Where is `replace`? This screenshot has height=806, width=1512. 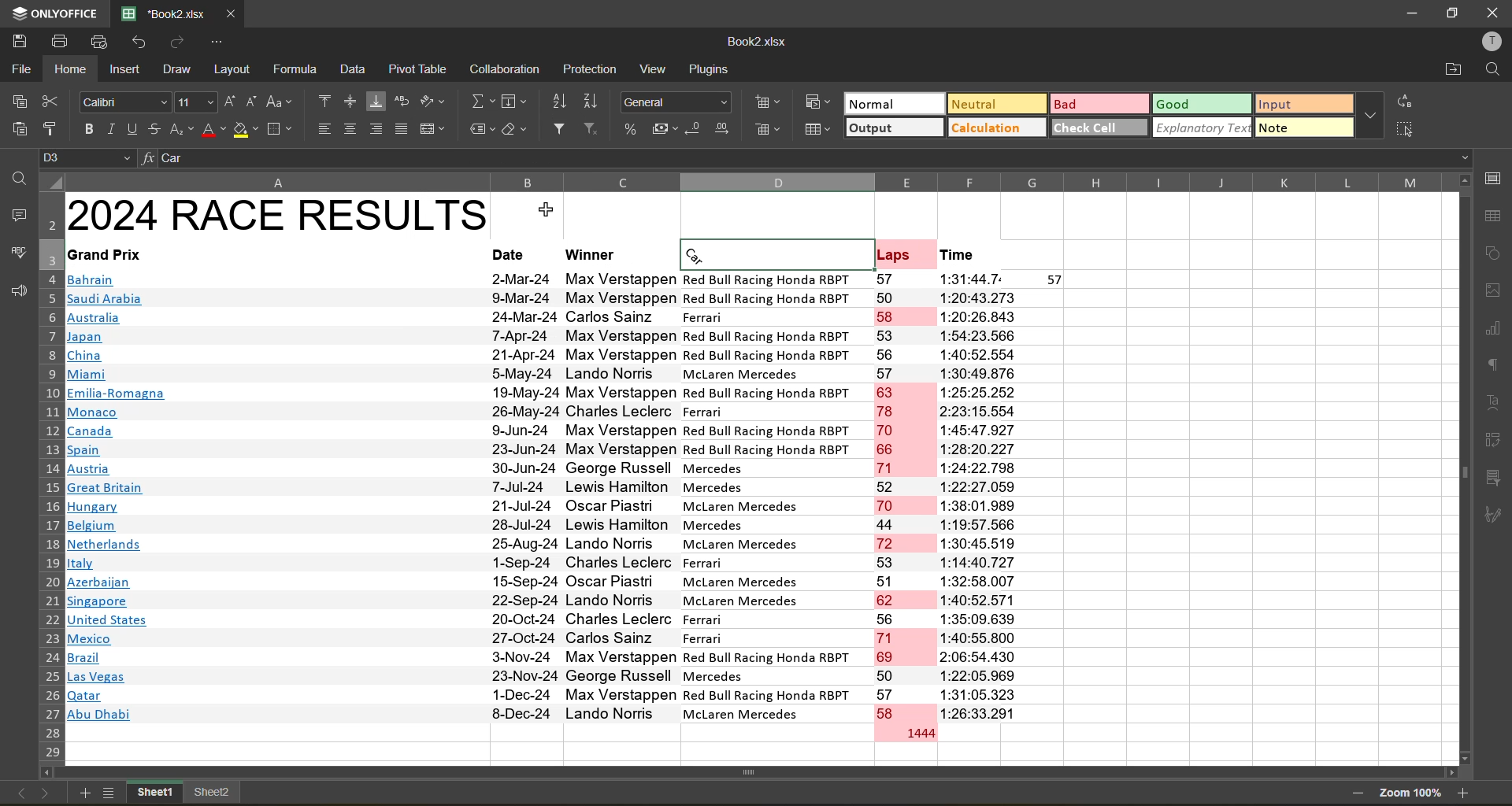
replace is located at coordinates (1403, 102).